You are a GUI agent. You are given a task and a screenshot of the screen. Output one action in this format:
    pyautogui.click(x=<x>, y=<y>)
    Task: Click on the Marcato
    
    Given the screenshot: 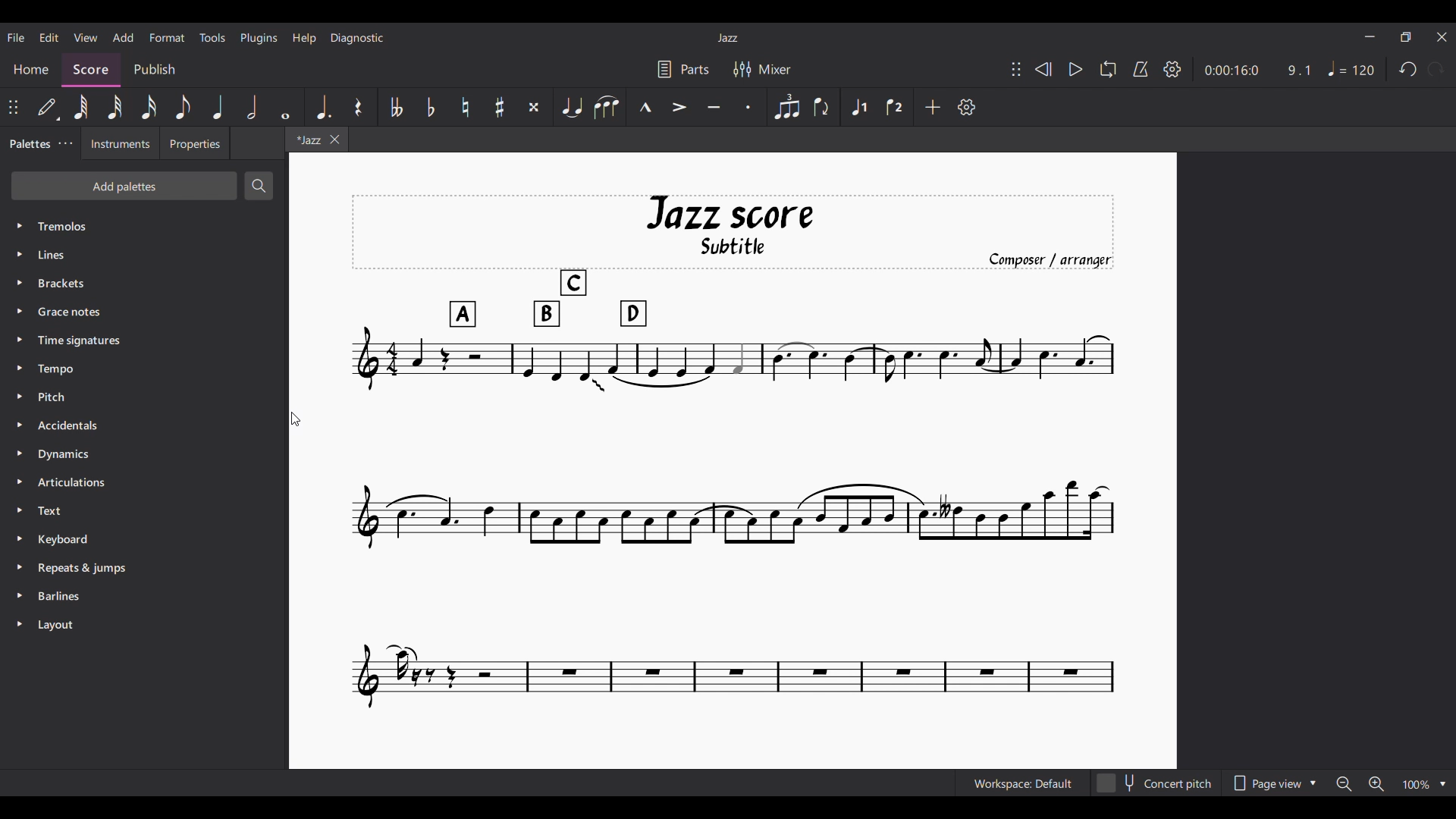 What is the action you would take?
    pyautogui.click(x=645, y=107)
    